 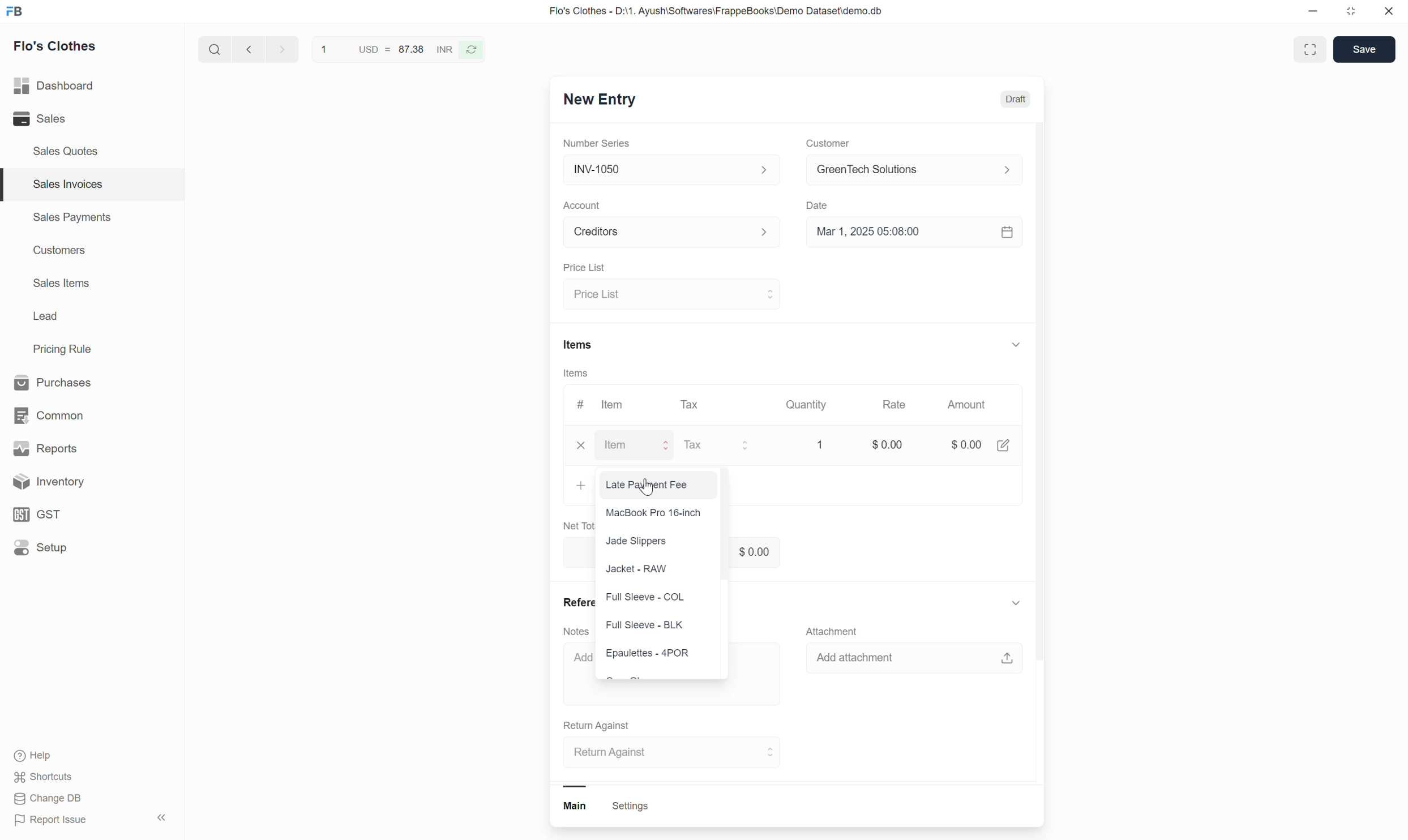 I want to click on Full Sleeve - BLK, so click(x=647, y=624).